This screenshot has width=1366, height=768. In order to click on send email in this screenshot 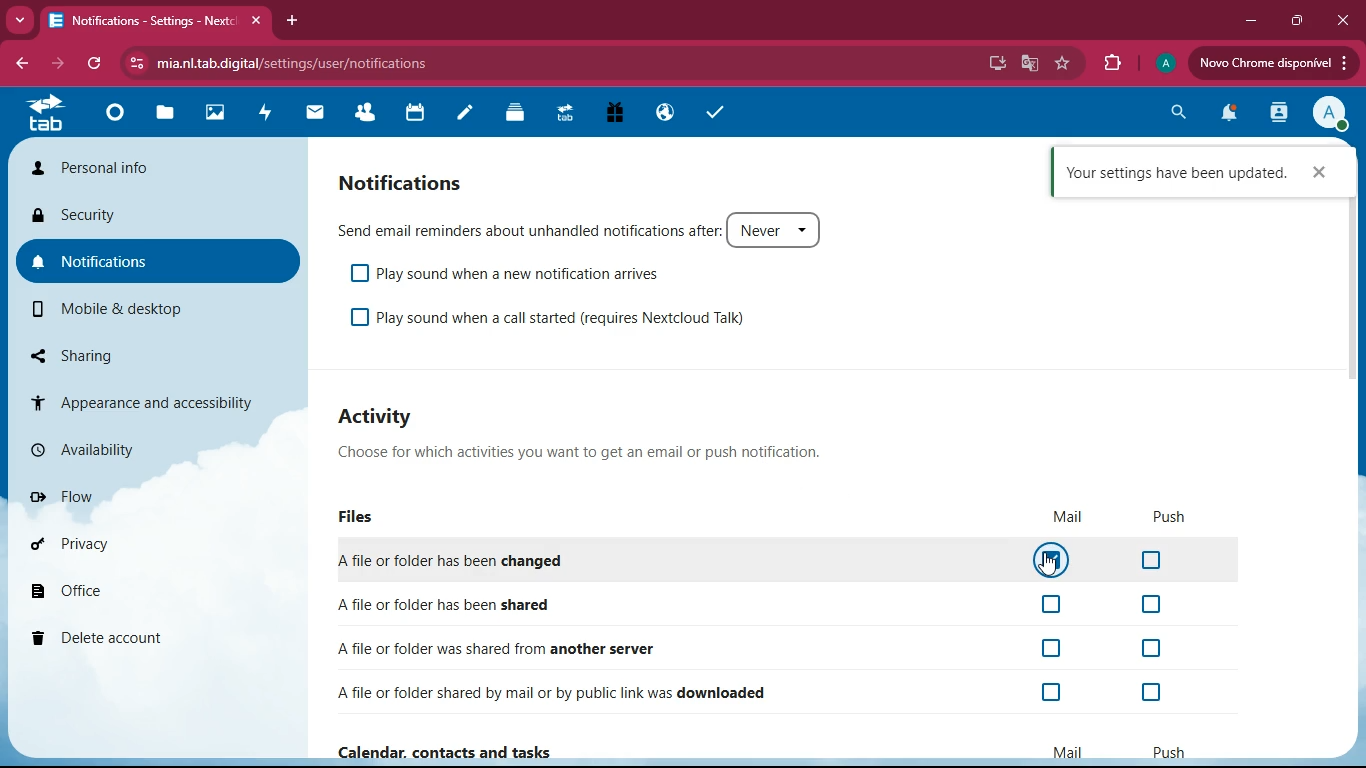, I will do `click(528, 230)`.